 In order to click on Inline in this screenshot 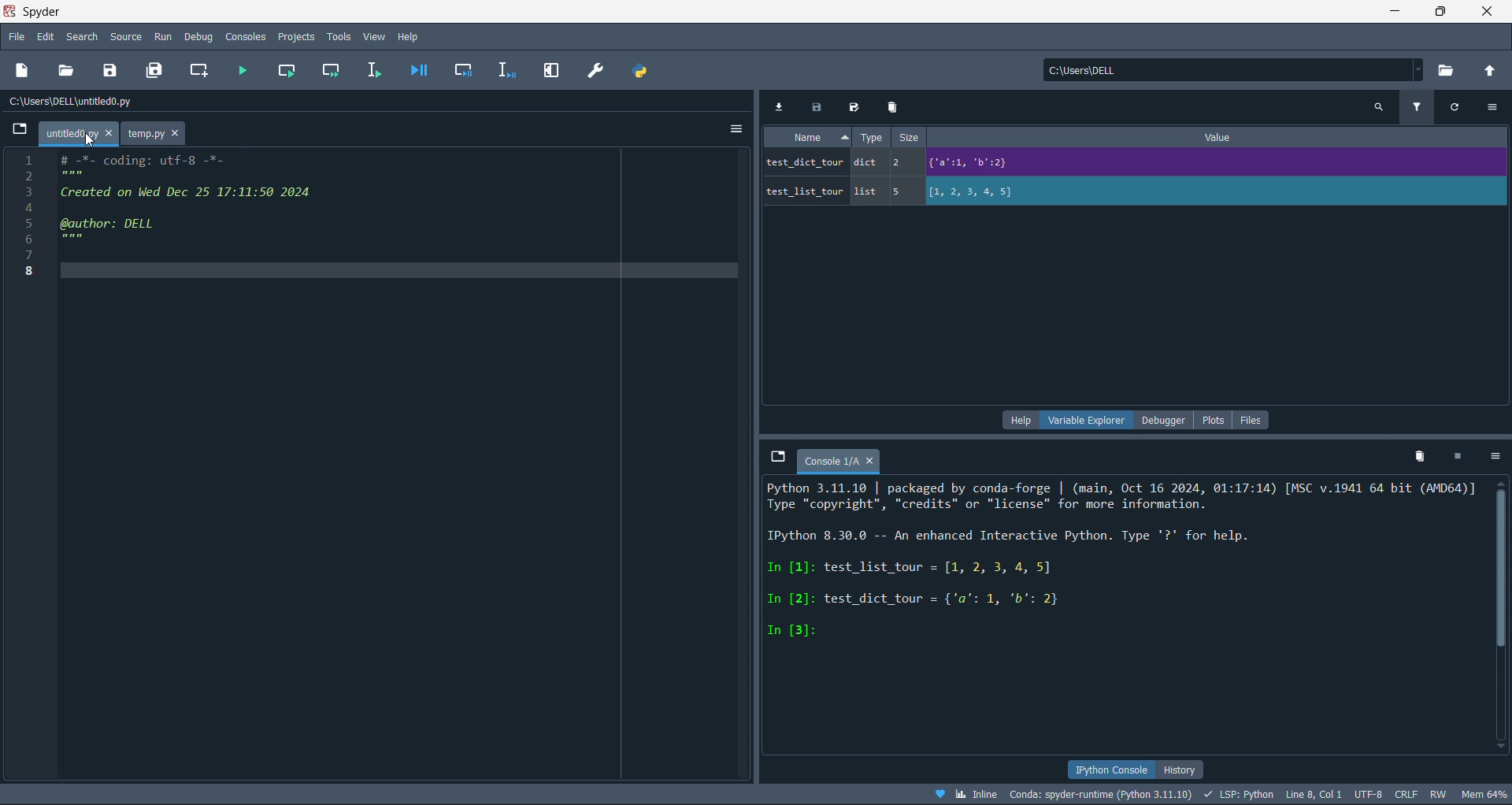, I will do `click(967, 793)`.